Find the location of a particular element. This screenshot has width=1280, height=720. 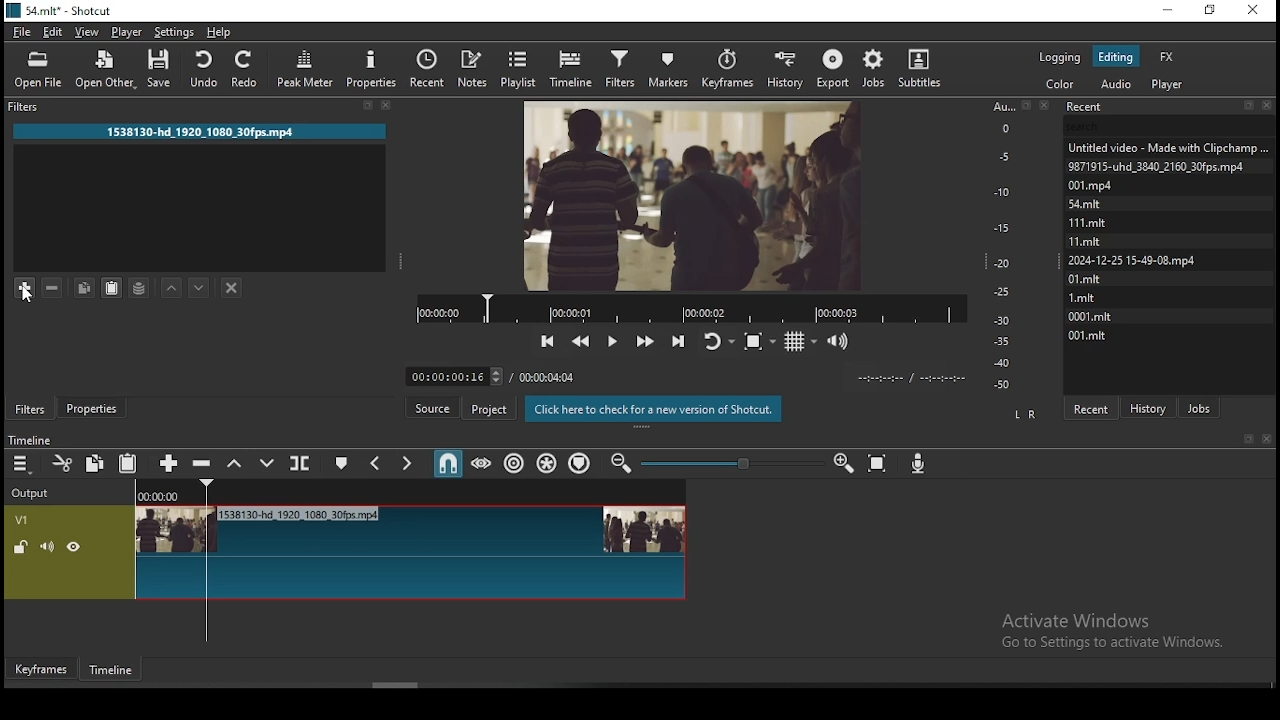

ripple all tracks is located at coordinates (549, 464).